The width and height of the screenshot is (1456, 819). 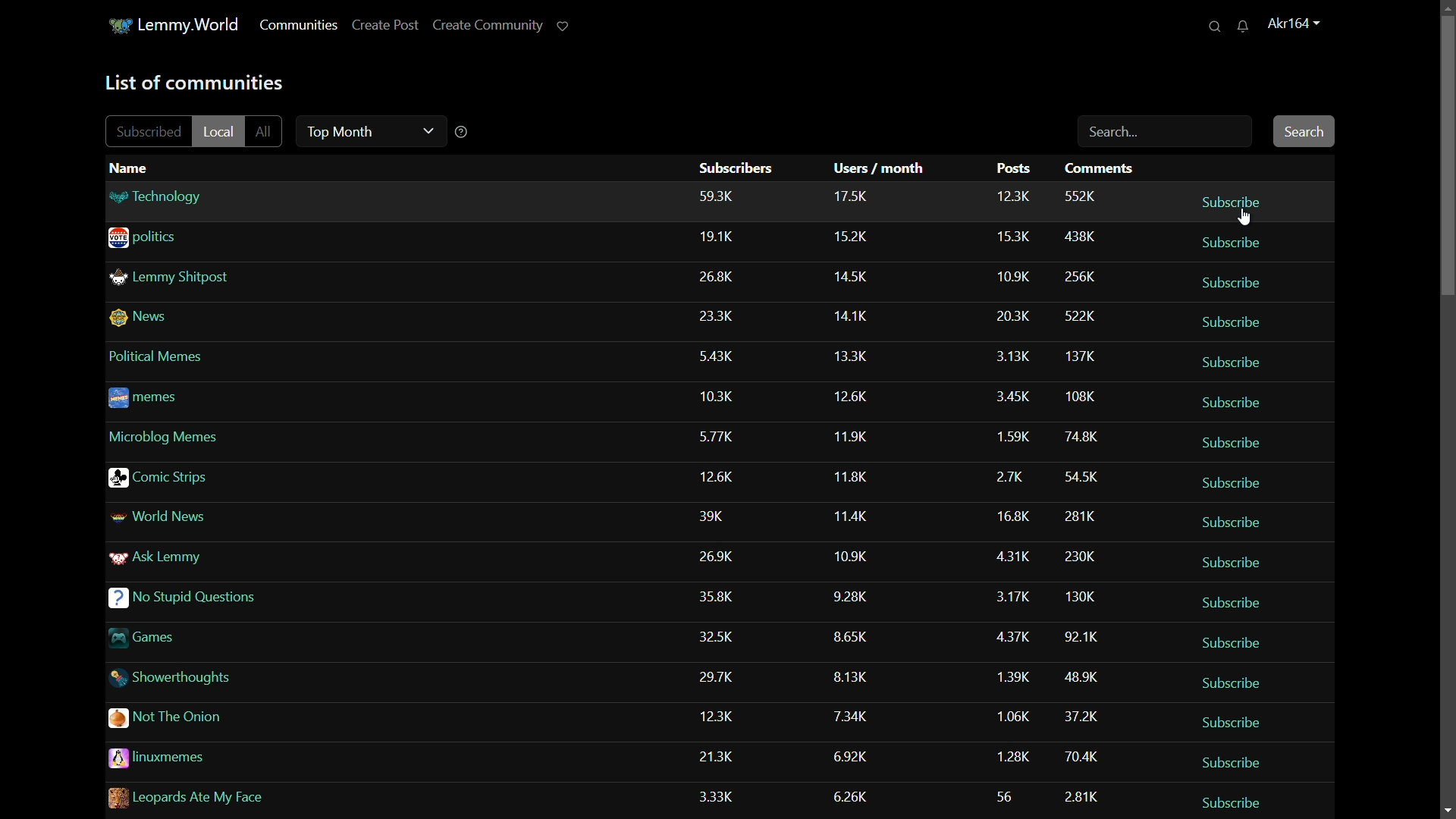 I want to click on , so click(x=1003, y=354).